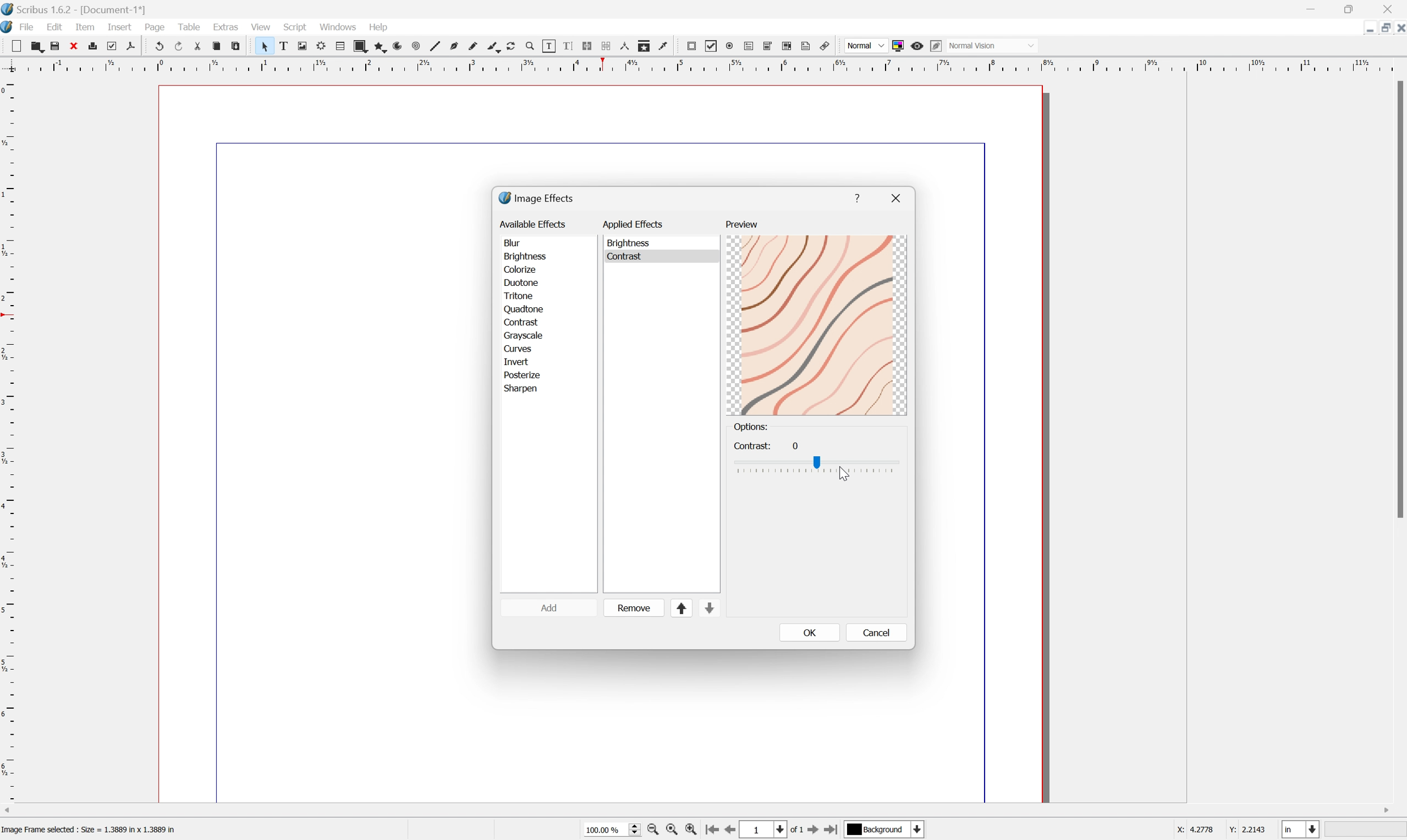 This screenshot has height=840, width=1407. Describe the element at coordinates (281, 46) in the screenshot. I see `Text frame` at that location.